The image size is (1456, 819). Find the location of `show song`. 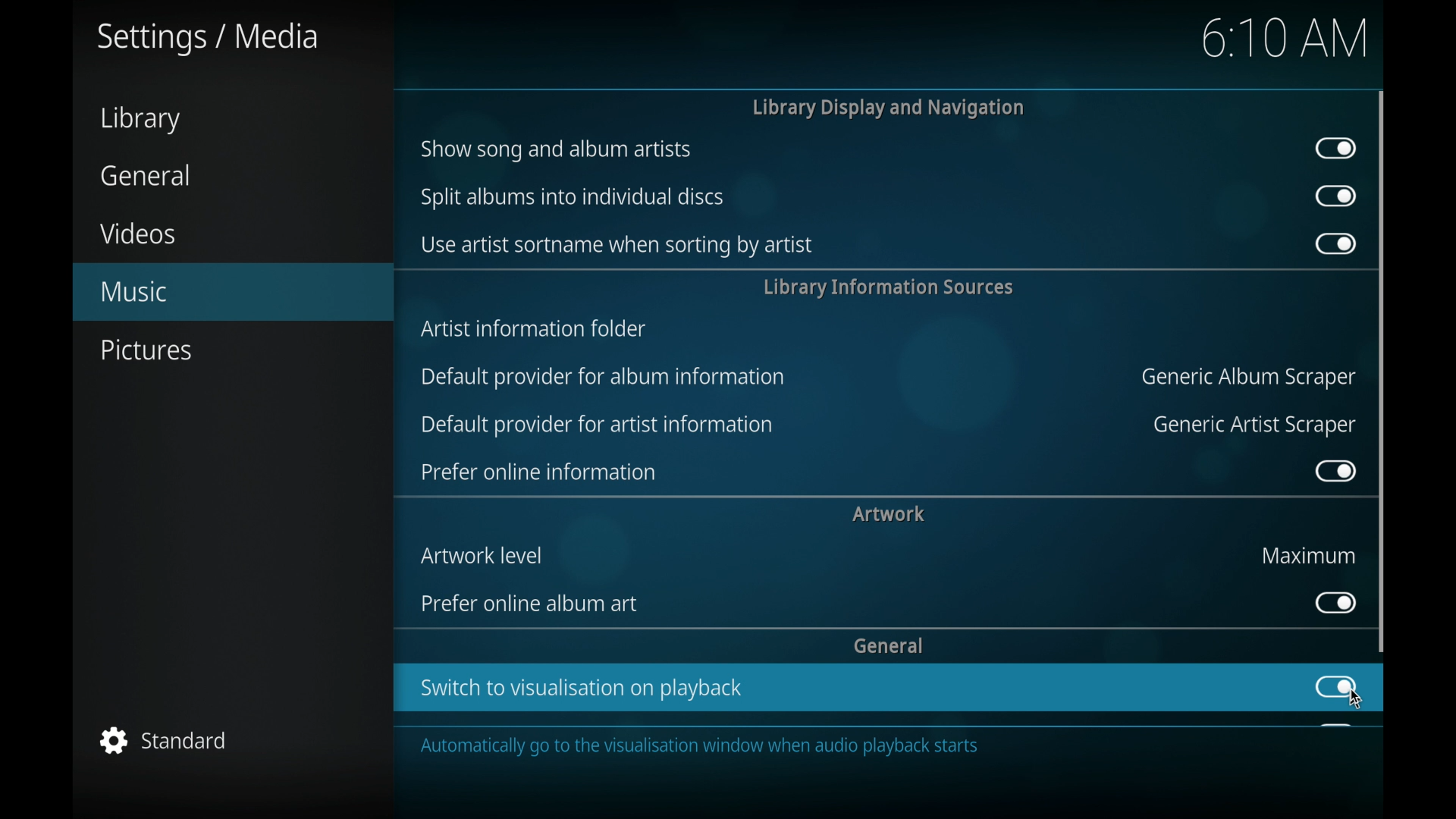

show song is located at coordinates (556, 149).